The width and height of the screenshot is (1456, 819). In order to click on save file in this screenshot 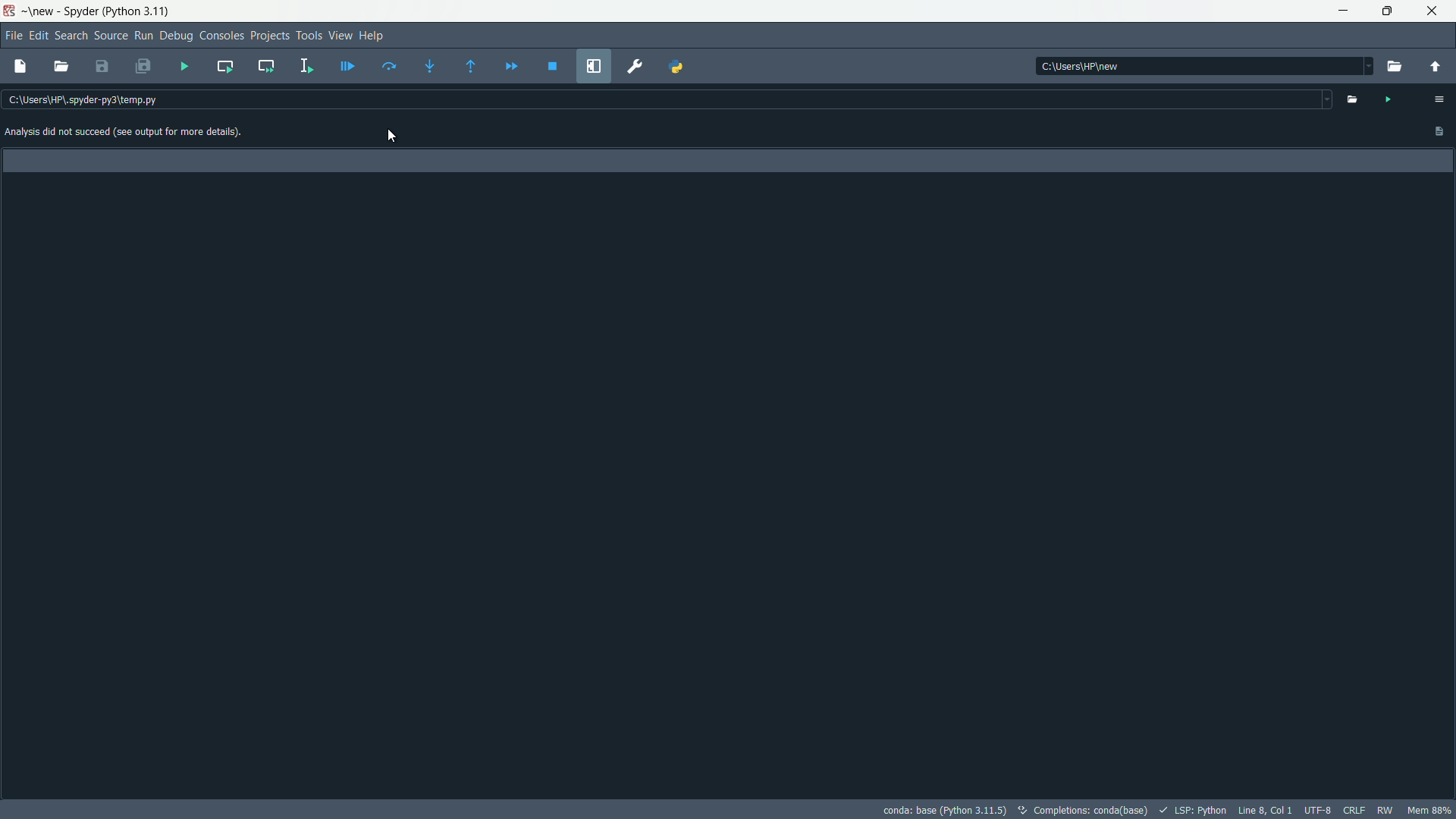, I will do `click(102, 65)`.